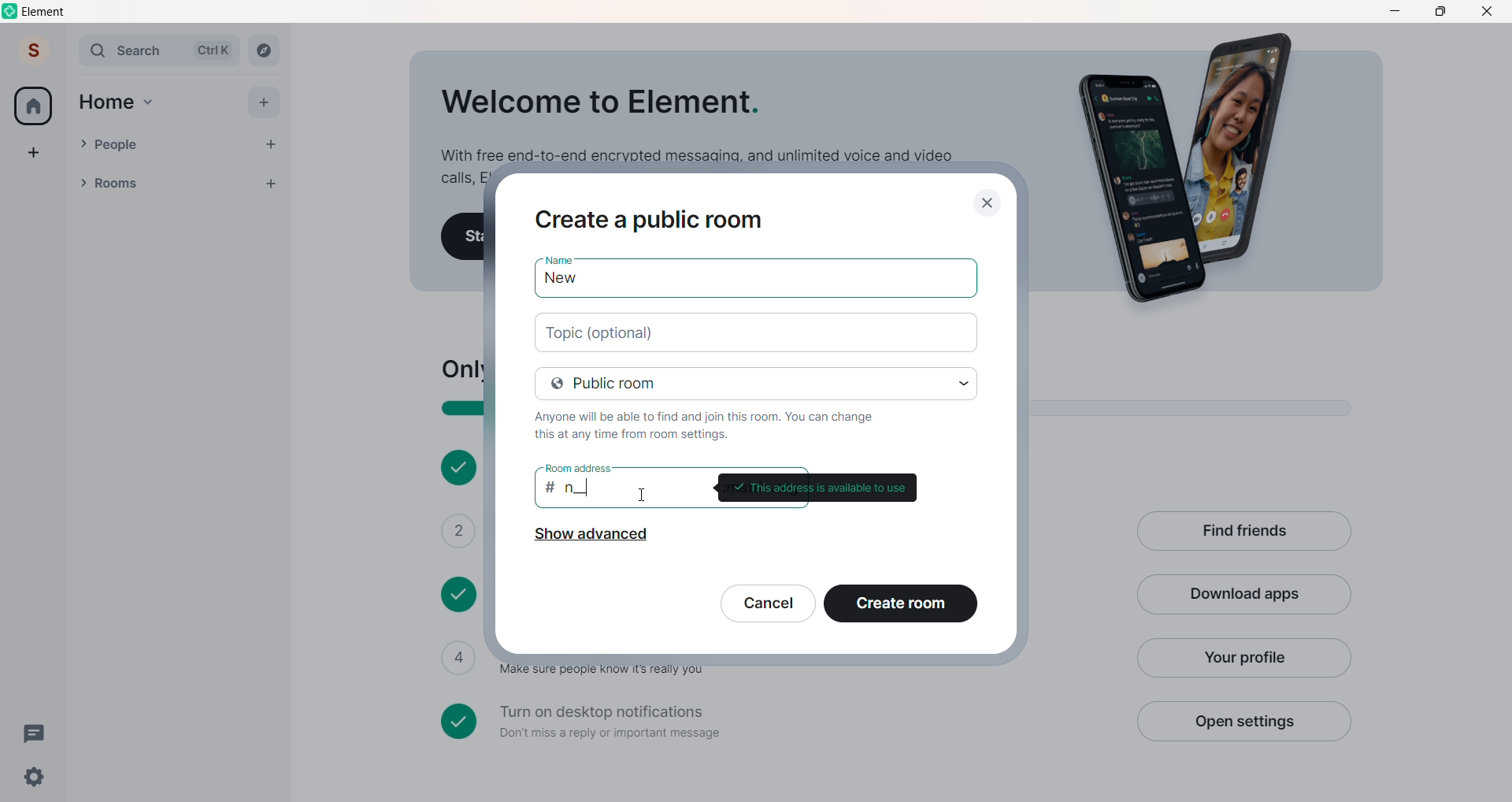 The image size is (1512, 802). I want to click on Cancel, so click(768, 604).